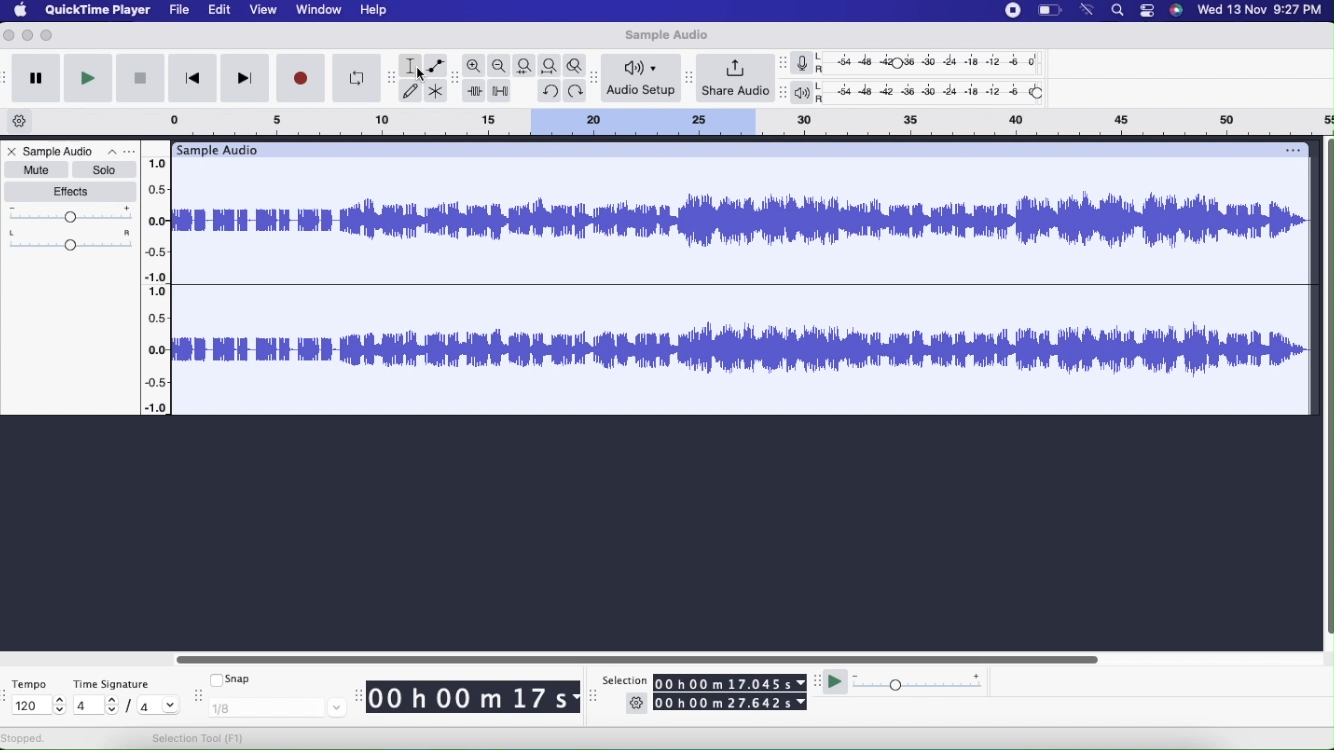  Describe the element at coordinates (578, 91) in the screenshot. I see `Redo` at that location.